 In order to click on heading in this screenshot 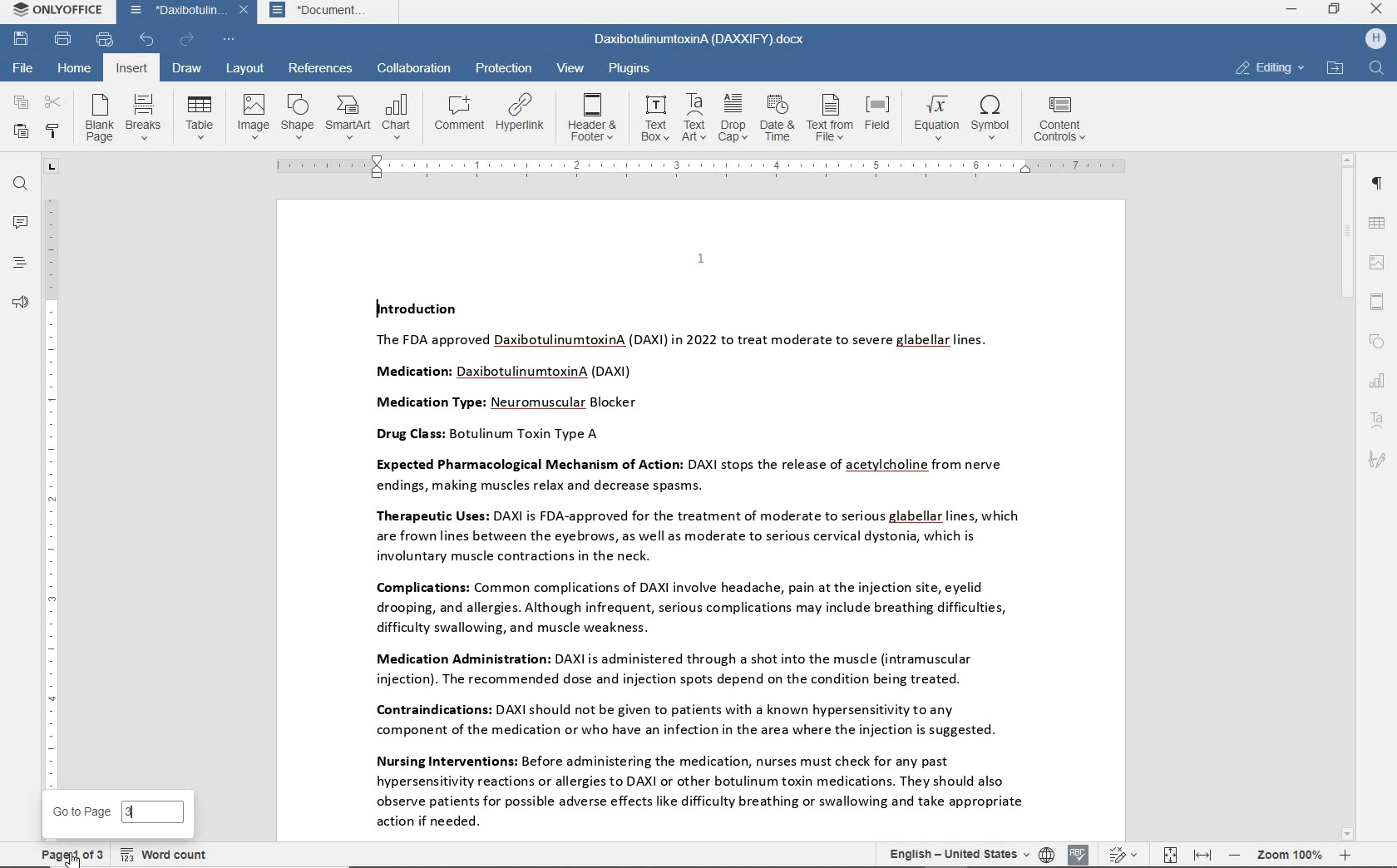, I will do `click(21, 263)`.